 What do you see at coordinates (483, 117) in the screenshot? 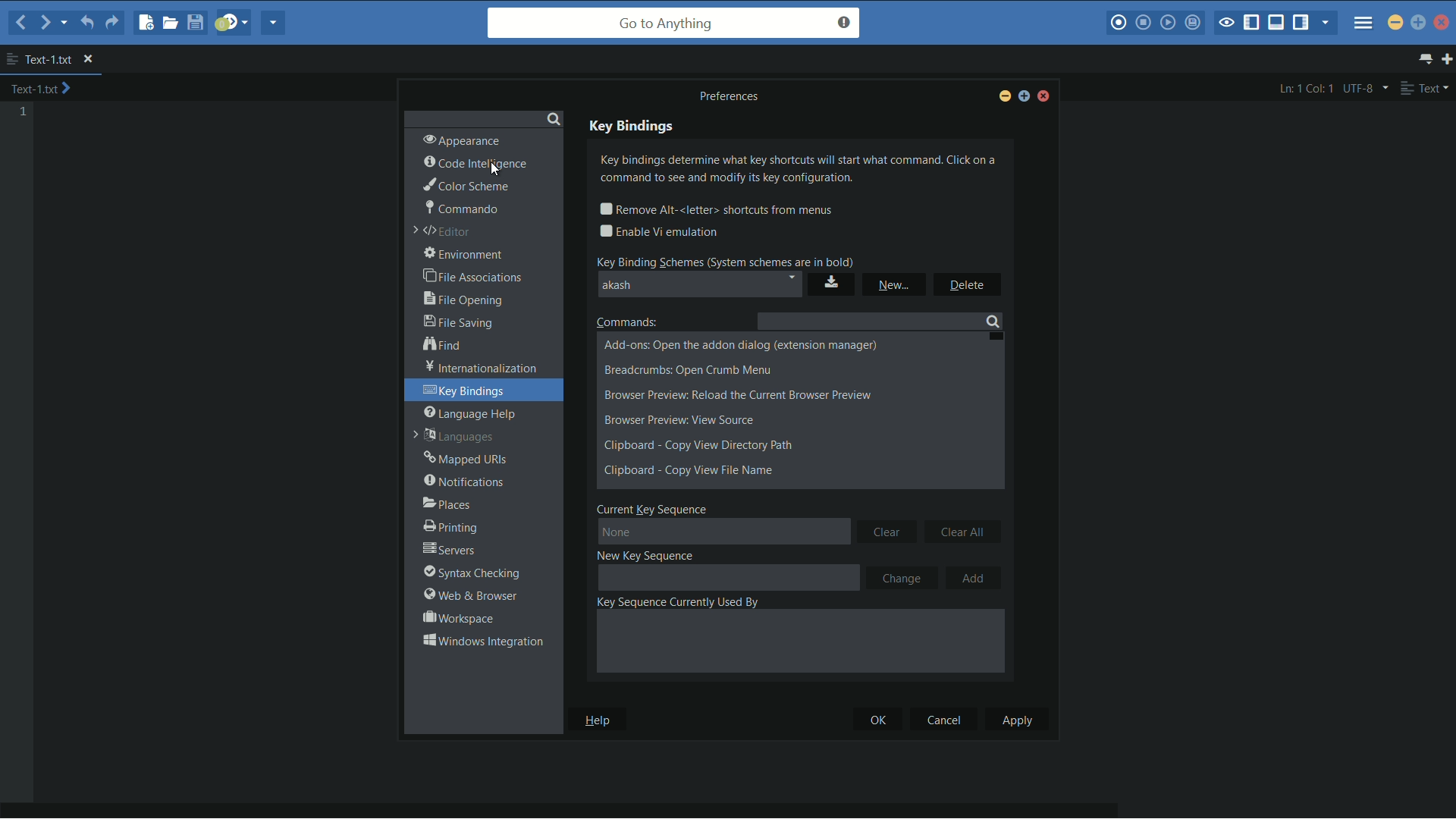
I see `search bar` at bounding box center [483, 117].